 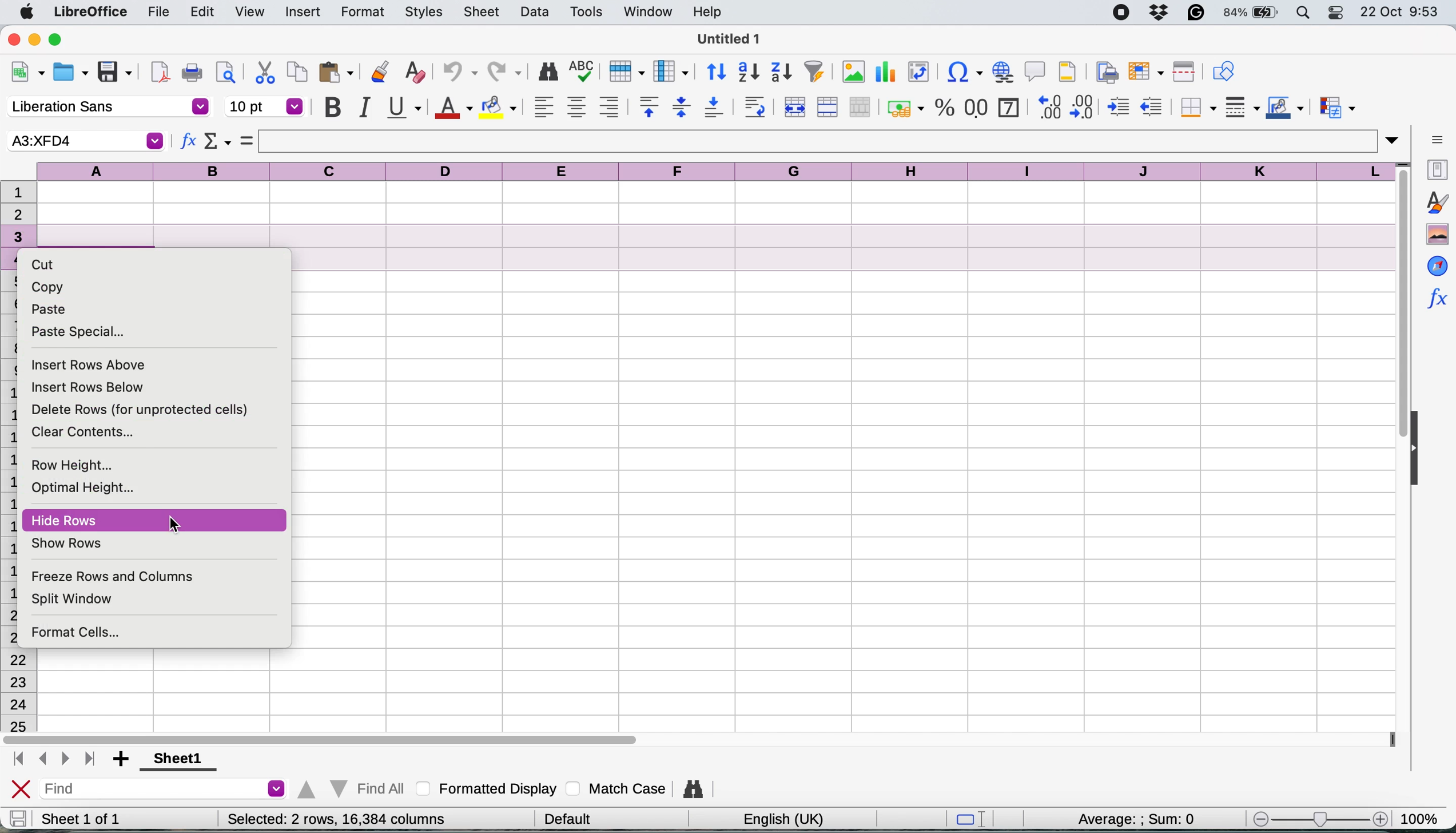 What do you see at coordinates (192, 73) in the screenshot?
I see `print` at bounding box center [192, 73].